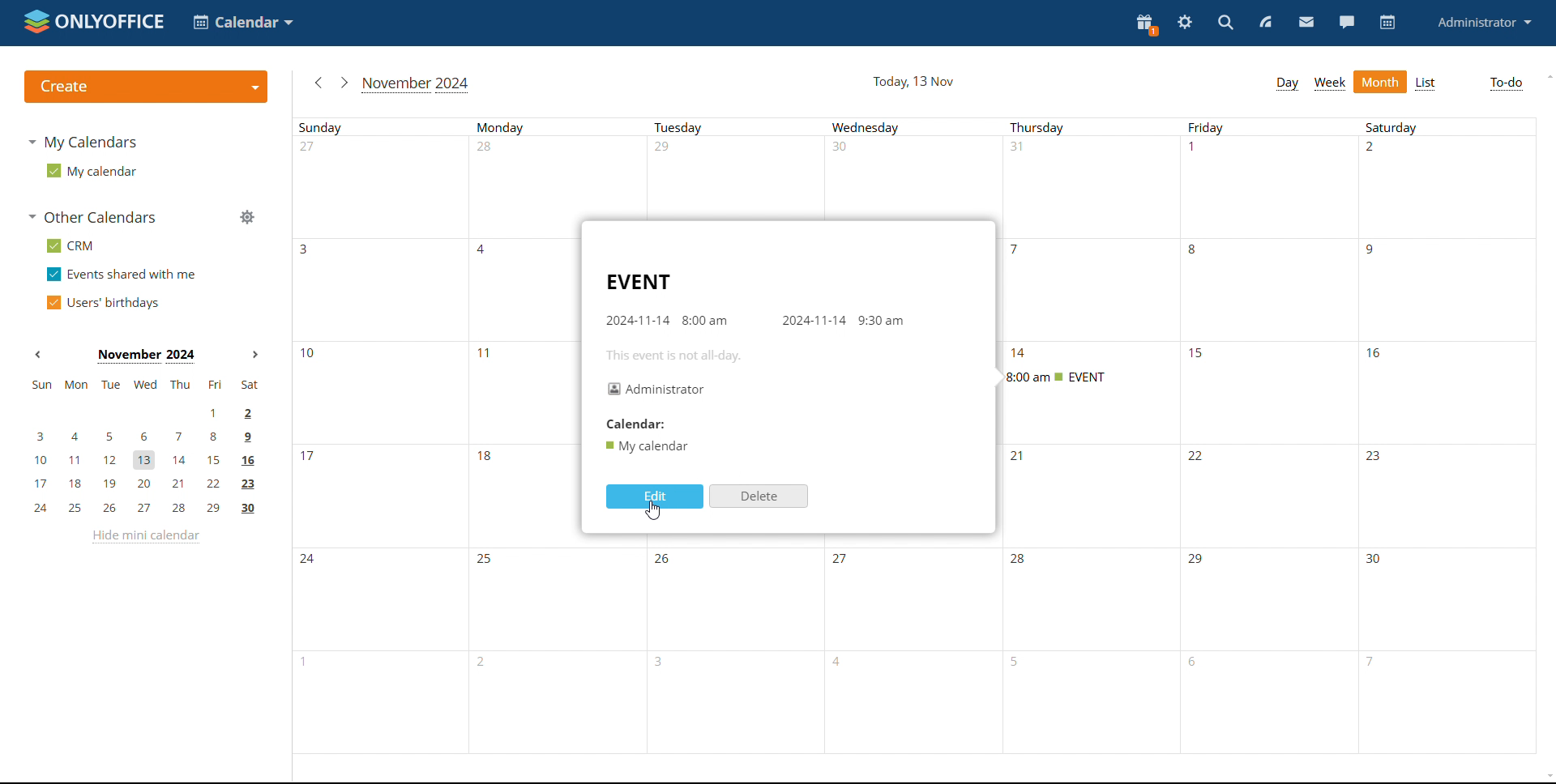  What do you see at coordinates (1273, 282) in the screenshot?
I see `thursday` at bounding box center [1273, 282].